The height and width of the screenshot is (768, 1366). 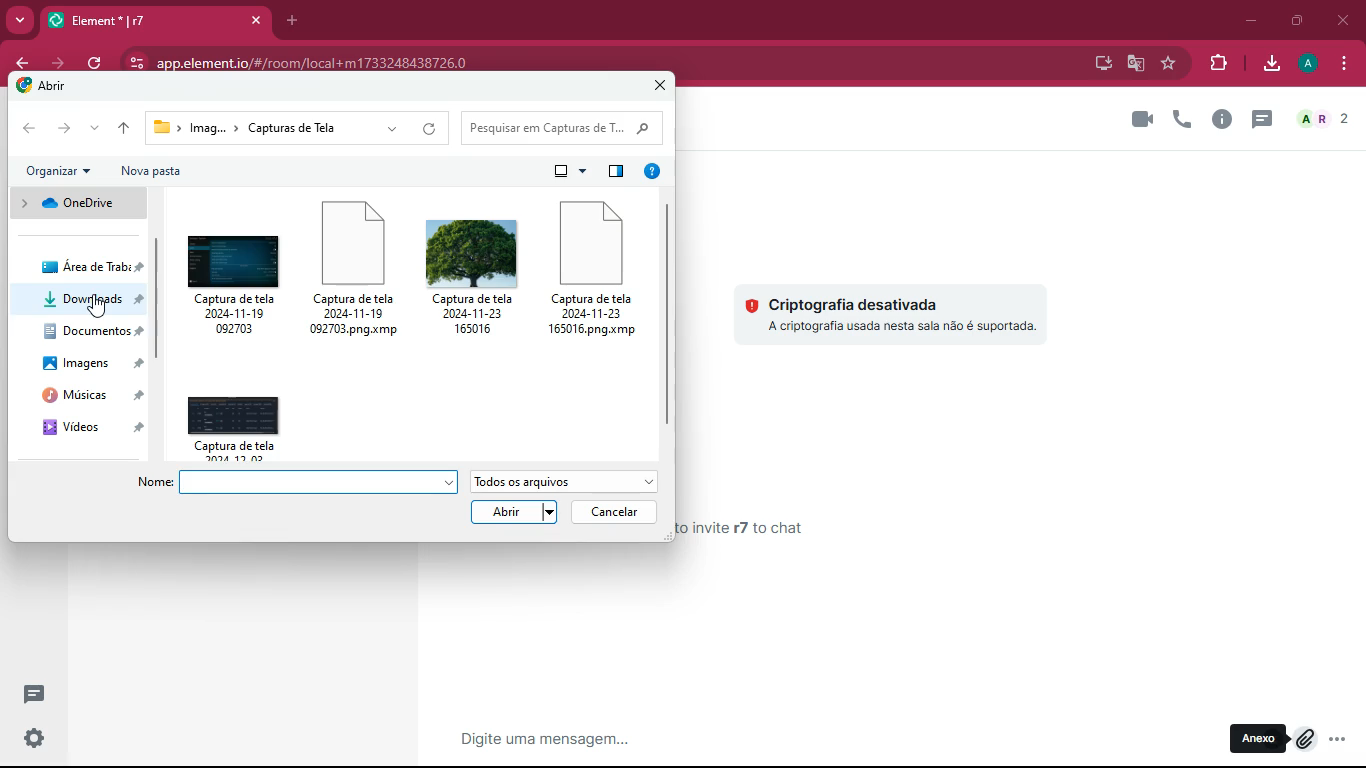 What do you see at coordinates (1296, 20) in the screenshot?
I see `maximize` at bounding box center [1296, 20].